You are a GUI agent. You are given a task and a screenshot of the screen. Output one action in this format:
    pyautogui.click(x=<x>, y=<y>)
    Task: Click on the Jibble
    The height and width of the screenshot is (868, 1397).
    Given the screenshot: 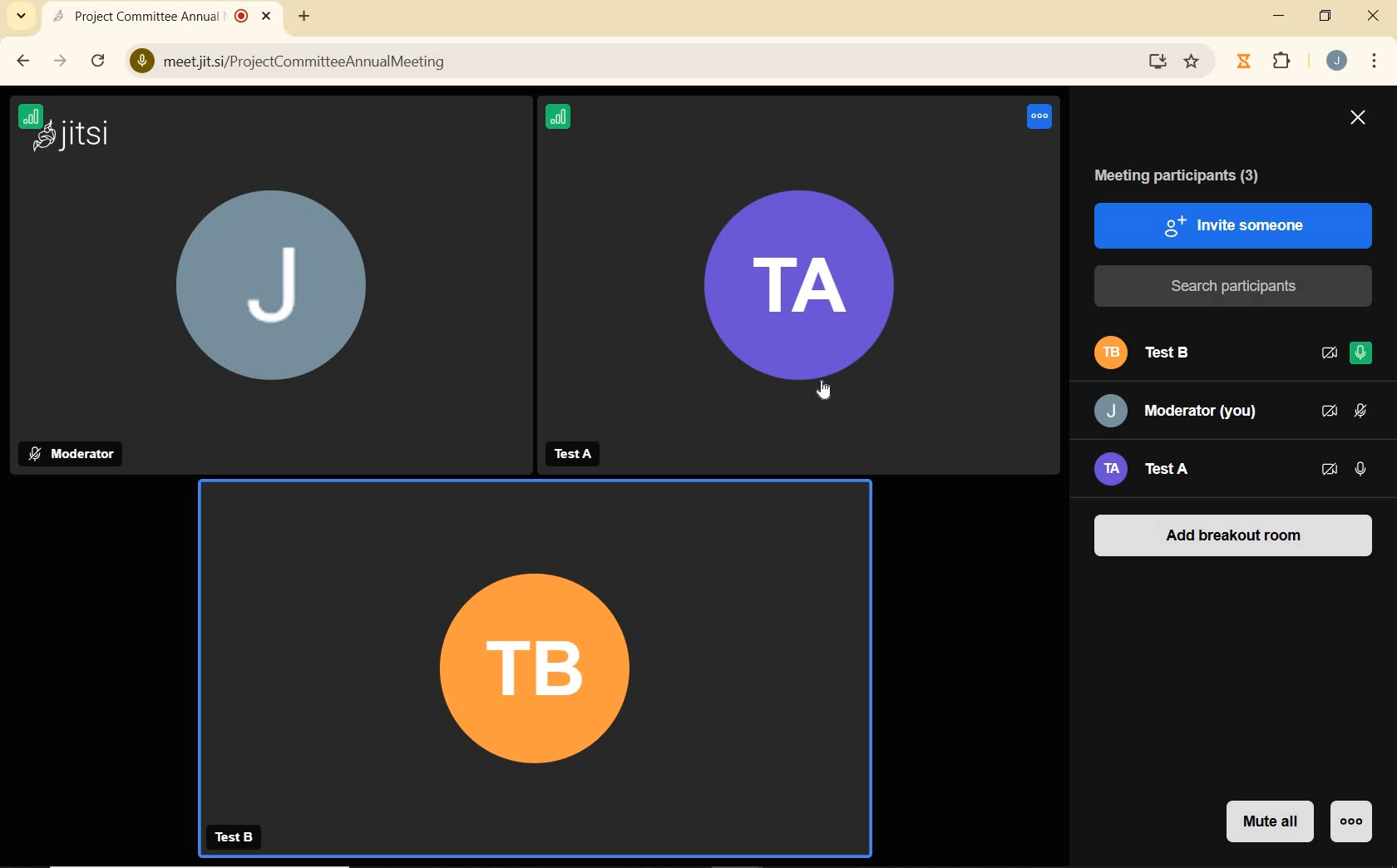 What is the action you would take?
    pyautogui.click(x=1244, y=62)
    